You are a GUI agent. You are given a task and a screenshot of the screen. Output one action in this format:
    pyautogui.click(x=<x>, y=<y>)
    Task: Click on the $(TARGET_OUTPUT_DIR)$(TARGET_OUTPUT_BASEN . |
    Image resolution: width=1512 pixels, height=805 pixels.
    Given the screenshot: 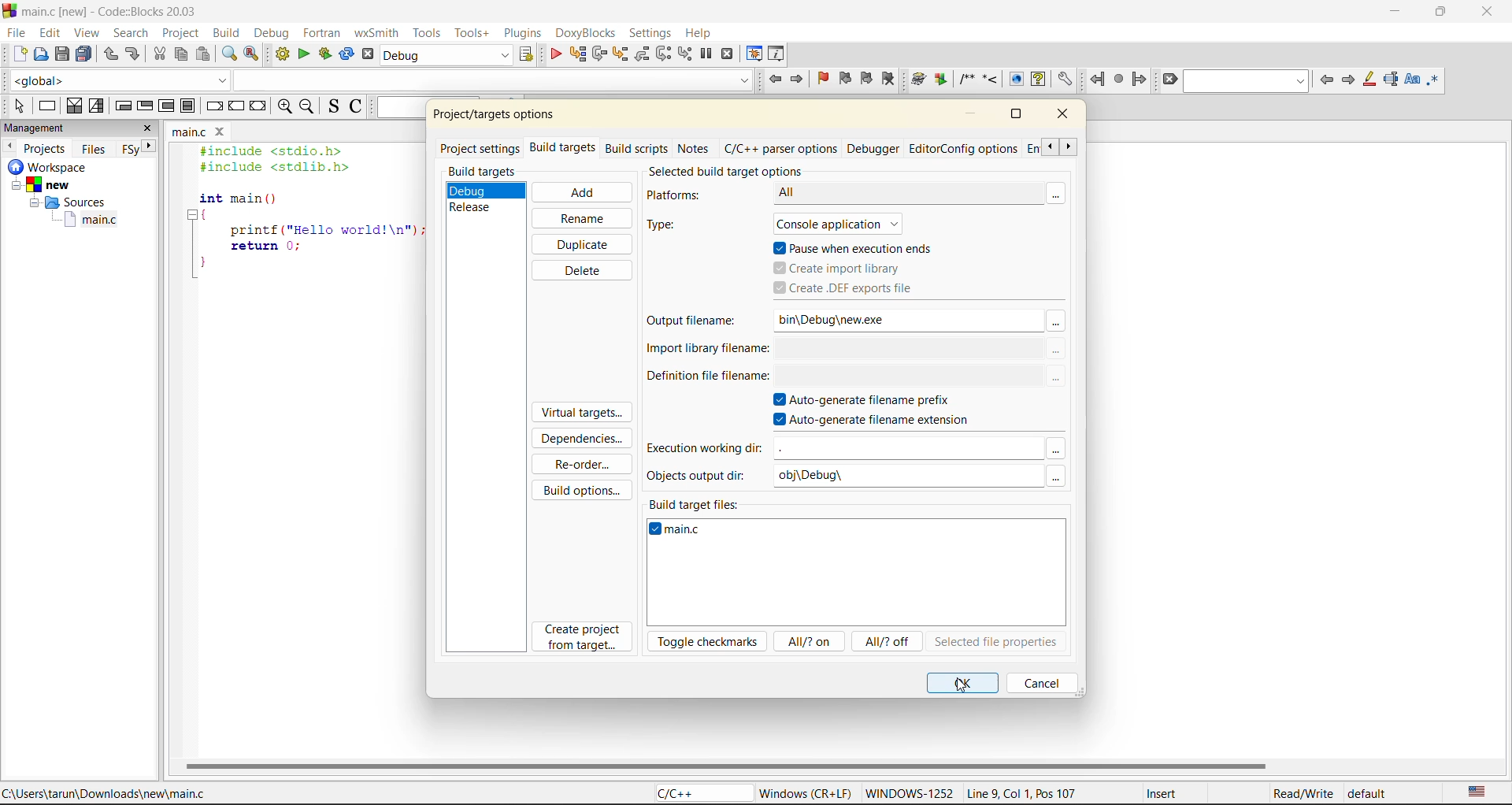 What is the action you would take?
    pyautogui.click(x=906, y=377)
    